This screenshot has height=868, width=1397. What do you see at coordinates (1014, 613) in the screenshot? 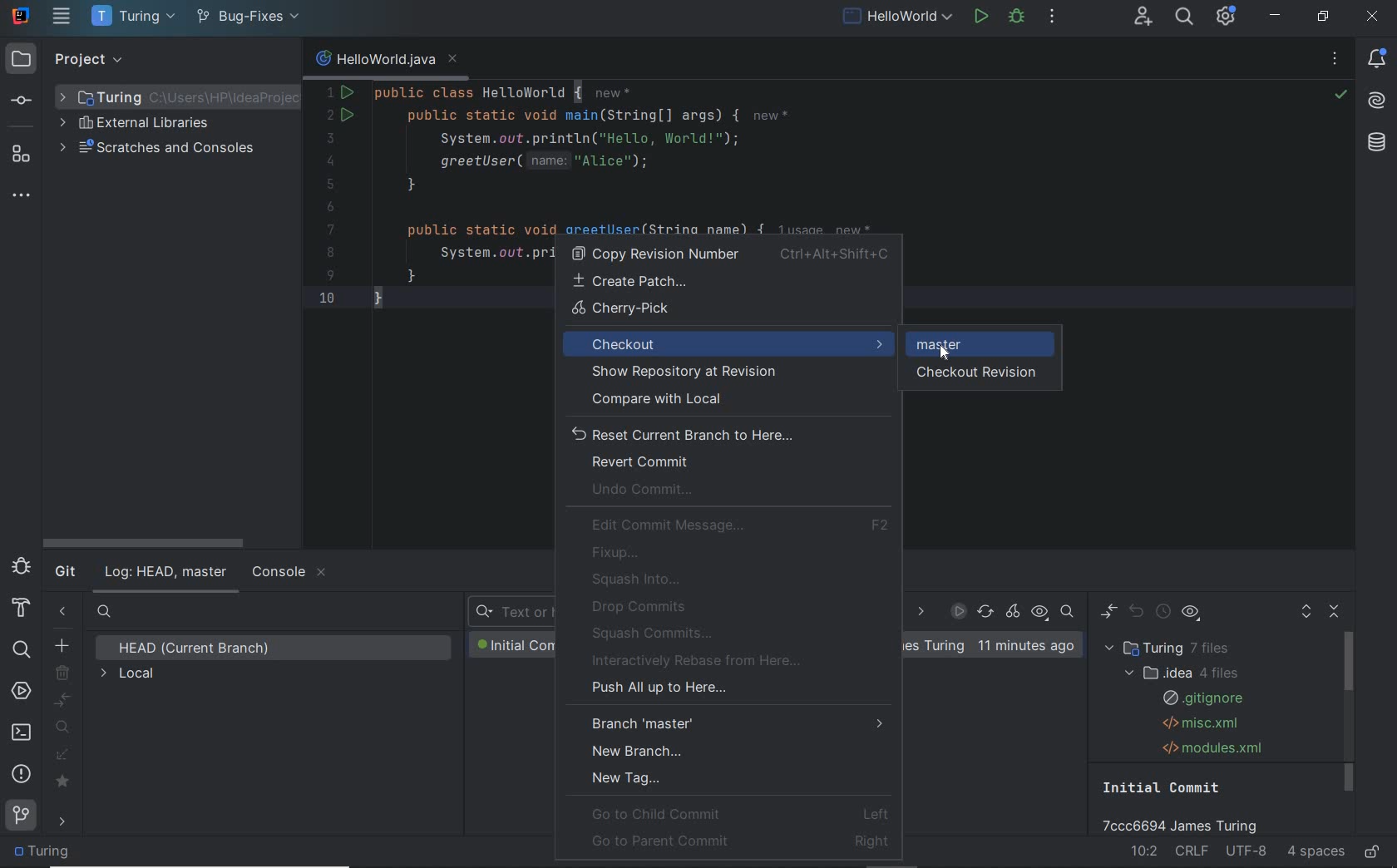
I see `cherry-pick` at bounding box center [1014, 613].